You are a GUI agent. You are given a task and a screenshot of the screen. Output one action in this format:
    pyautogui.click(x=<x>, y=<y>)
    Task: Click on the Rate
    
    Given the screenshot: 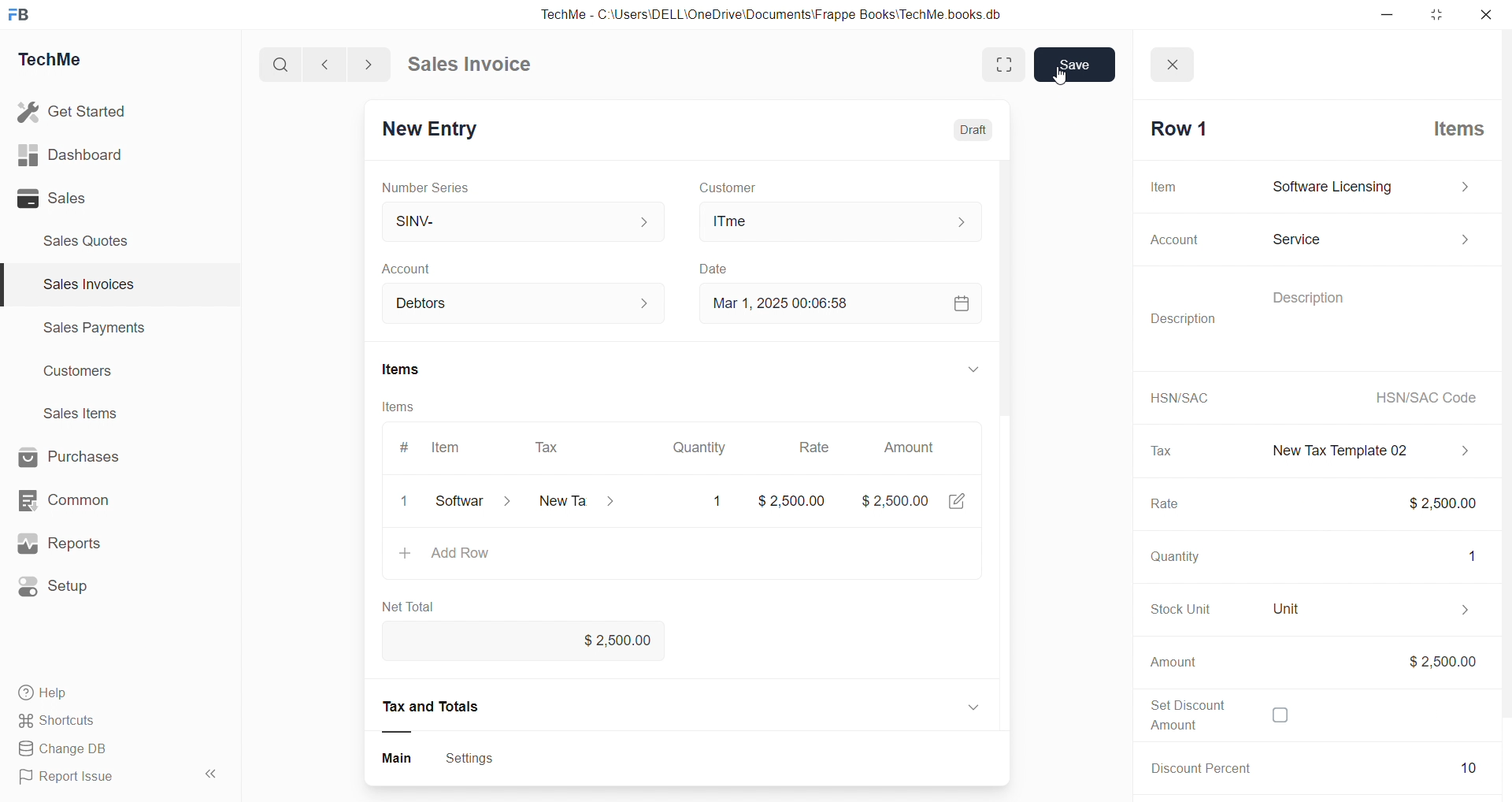 What is the action you would take?
    pyautogui.click(x=1160, y=506)
    